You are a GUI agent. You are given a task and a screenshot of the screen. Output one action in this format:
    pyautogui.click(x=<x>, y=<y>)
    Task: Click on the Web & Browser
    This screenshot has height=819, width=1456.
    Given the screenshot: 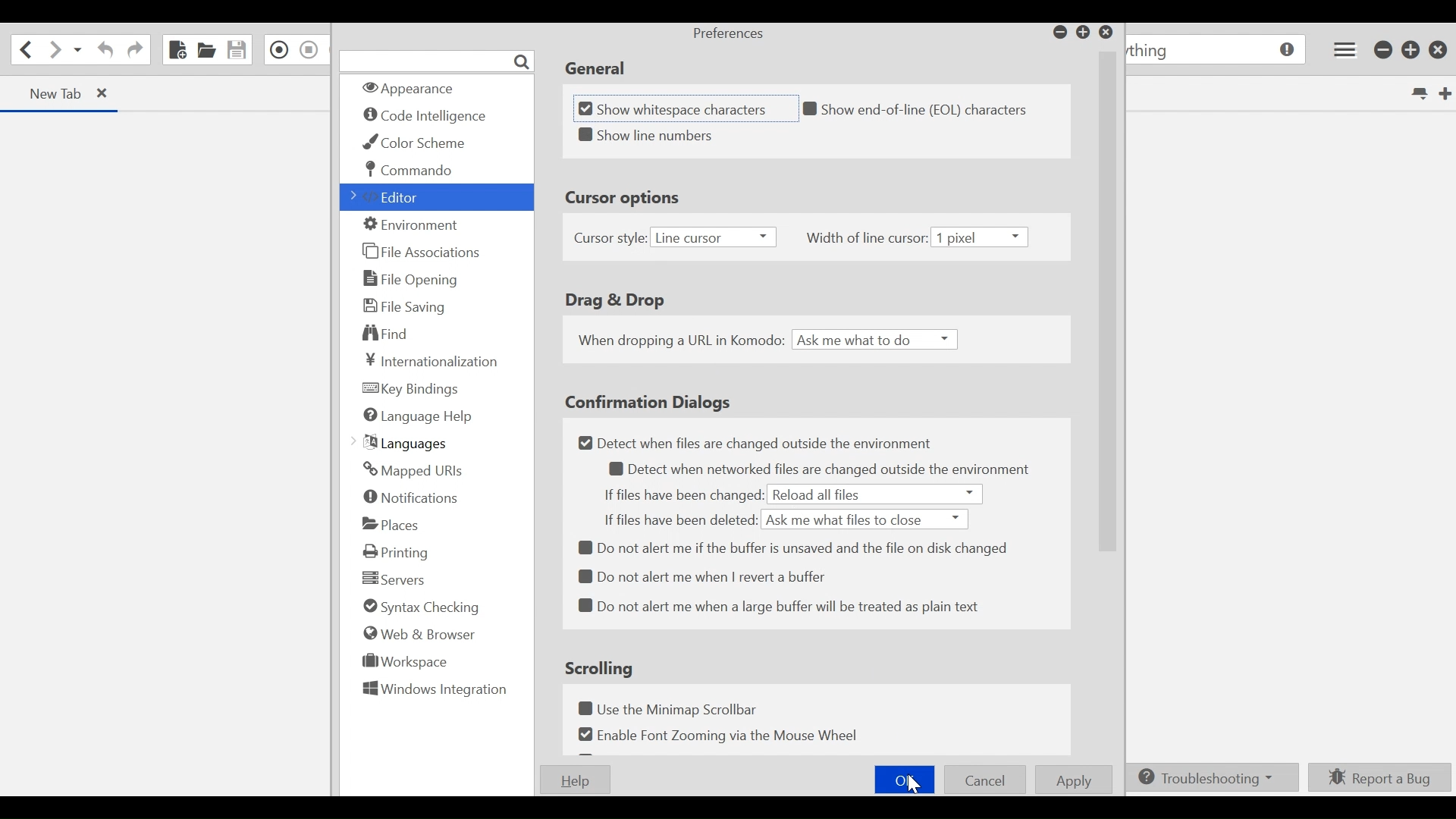 What is the action you would take?
    pyautogui.click(x=422, y=635)
    